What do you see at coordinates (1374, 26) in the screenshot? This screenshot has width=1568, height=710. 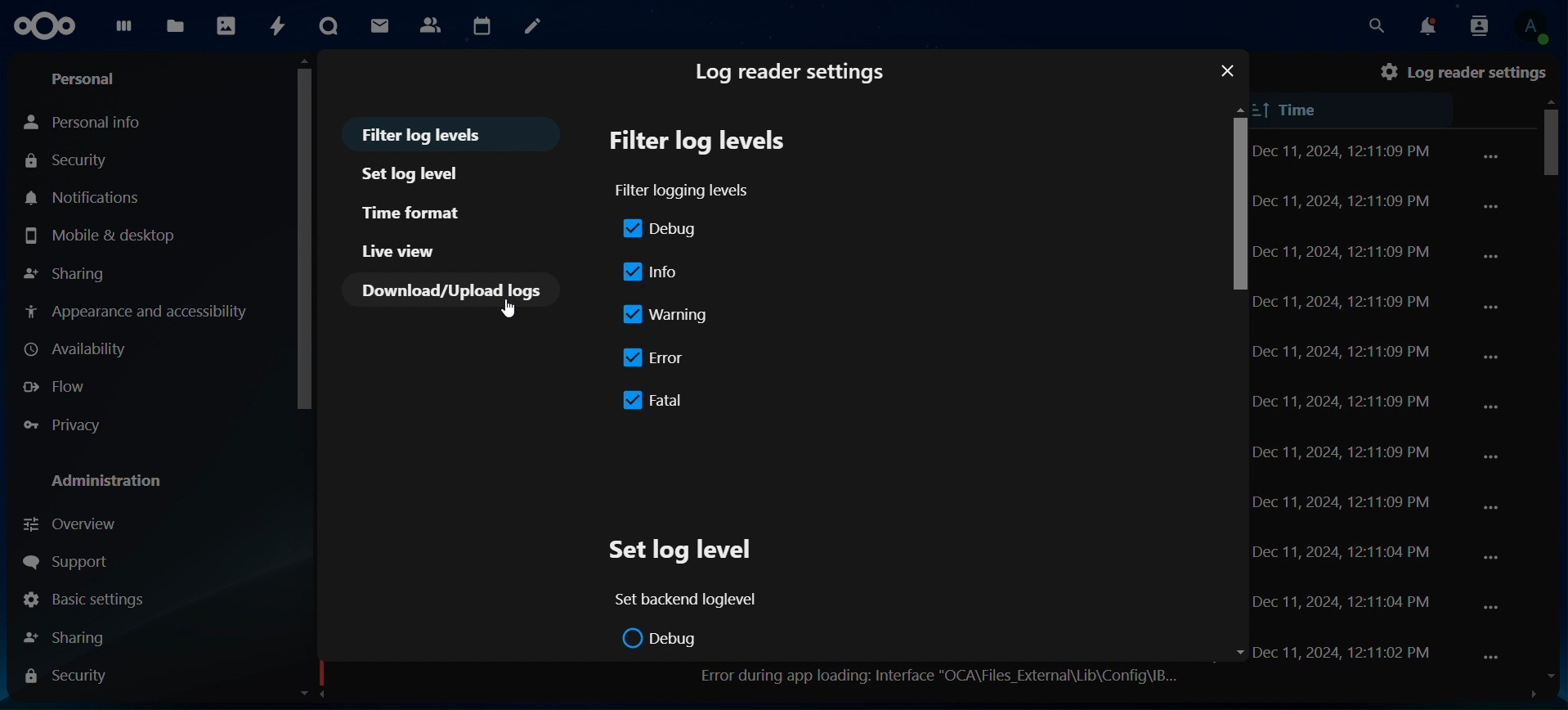 I see `search` at bounding box center [1374, 26].